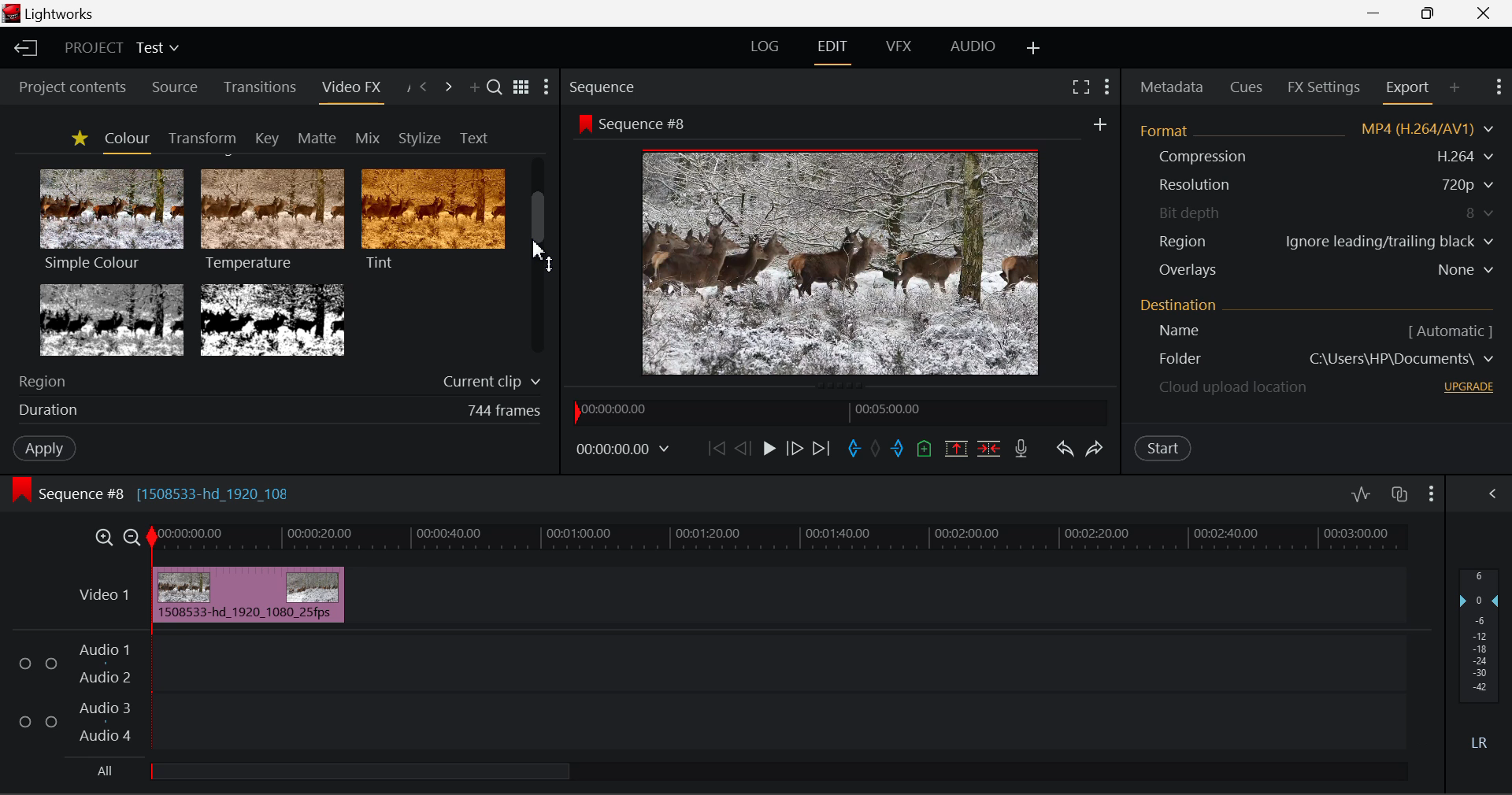  What do you see at coordinates (925, 450) in the screenshot?
I see `Mark Cue` at bounding box center [925, 450].